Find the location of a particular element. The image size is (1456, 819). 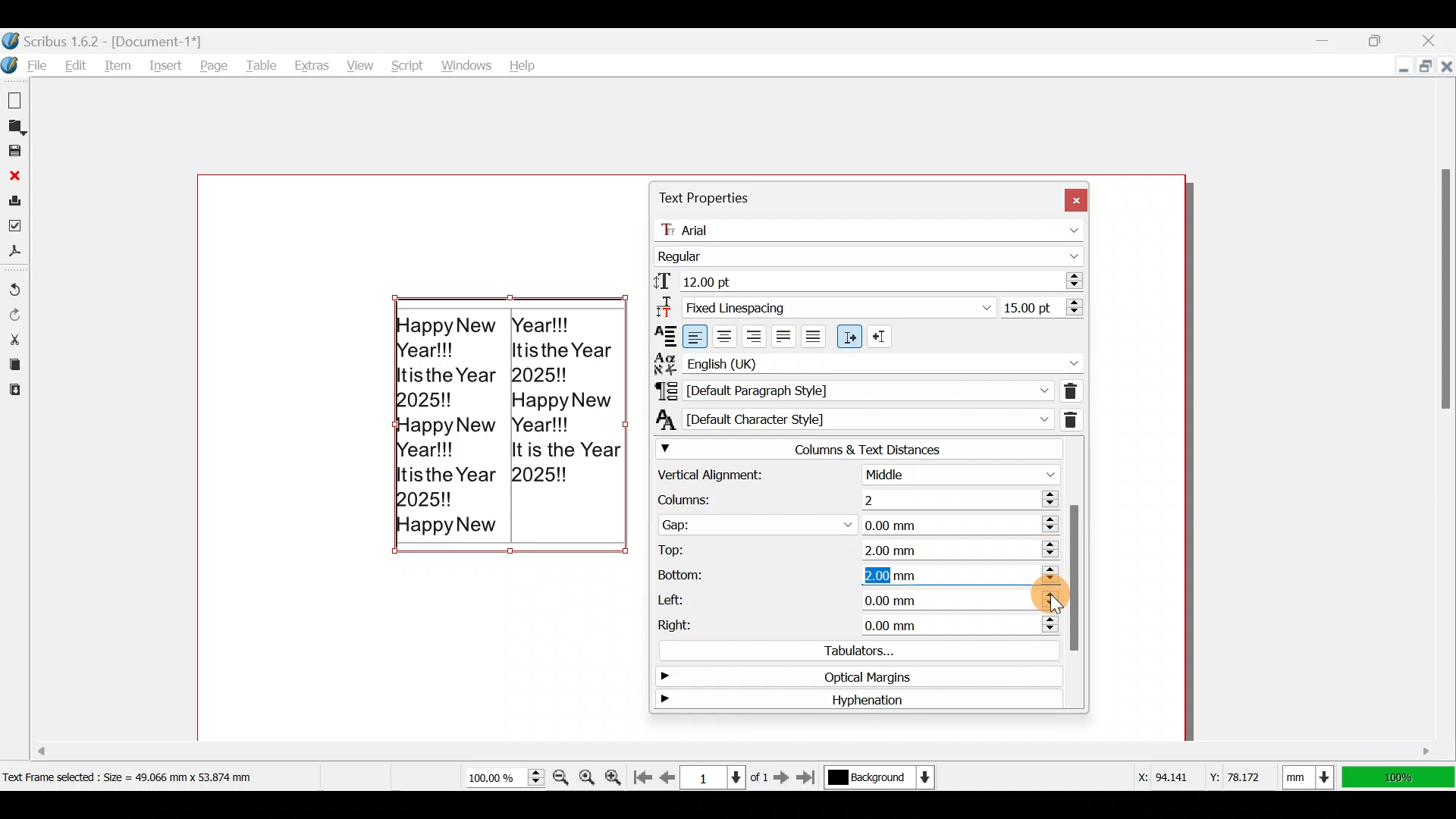

Preflight verifier is located at coordinates (17, 229).